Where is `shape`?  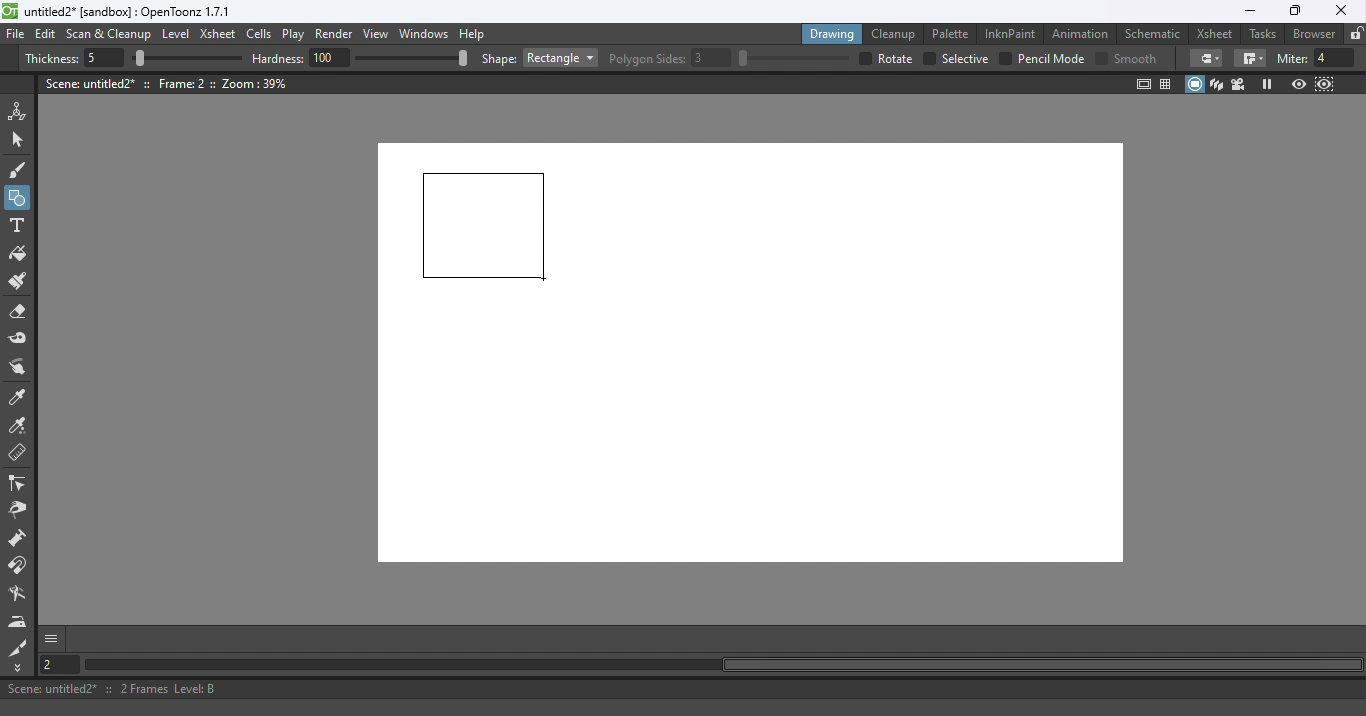
shape is located at coordinates (499, 60).